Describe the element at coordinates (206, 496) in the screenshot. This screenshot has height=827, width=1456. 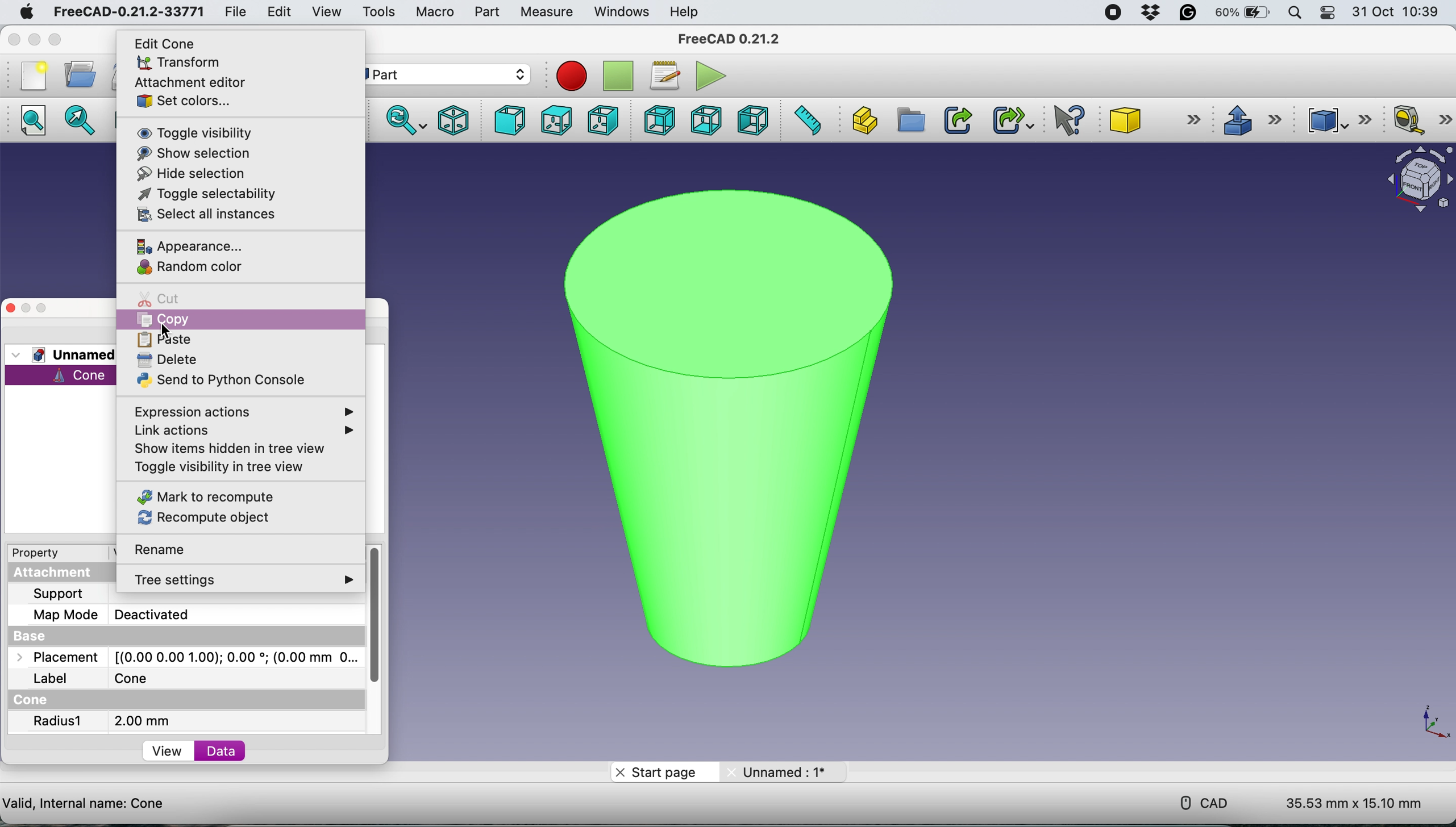
I see `mark to recompute` at that location.